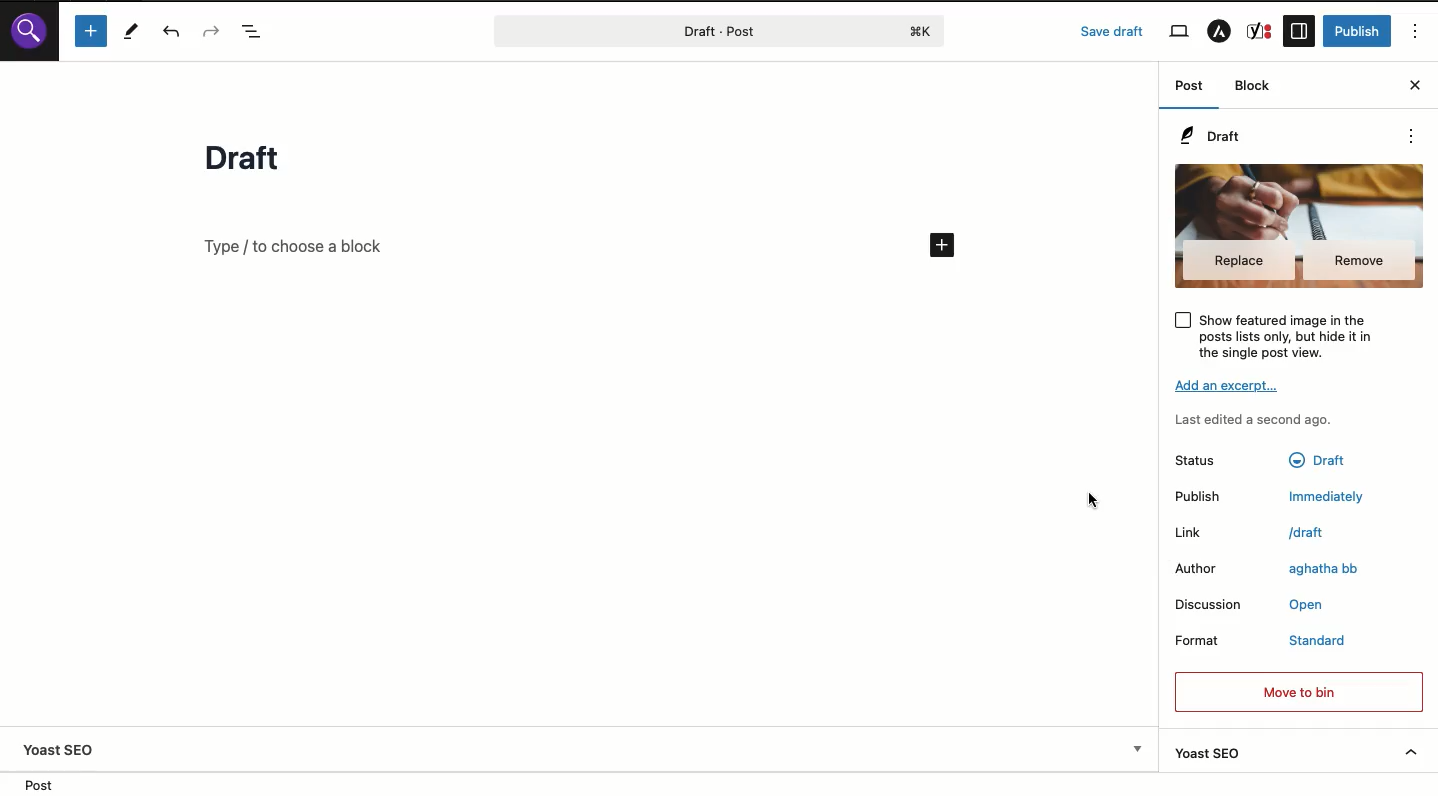 This screenshot has height=796, width=1438. I want to click on Yoast, so click(1260, 30).